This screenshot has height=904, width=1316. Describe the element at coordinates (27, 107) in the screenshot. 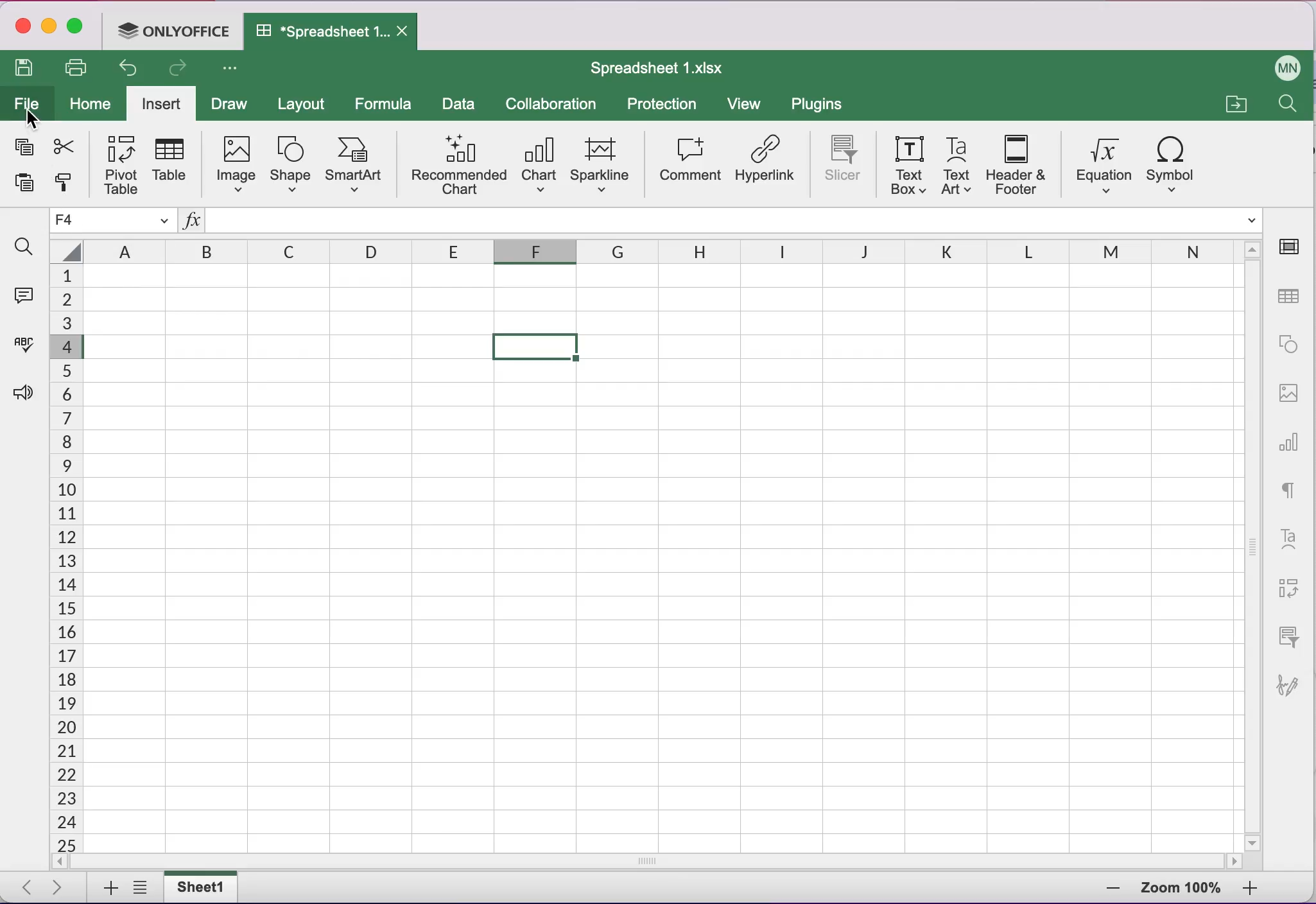

I see `file` at that location.